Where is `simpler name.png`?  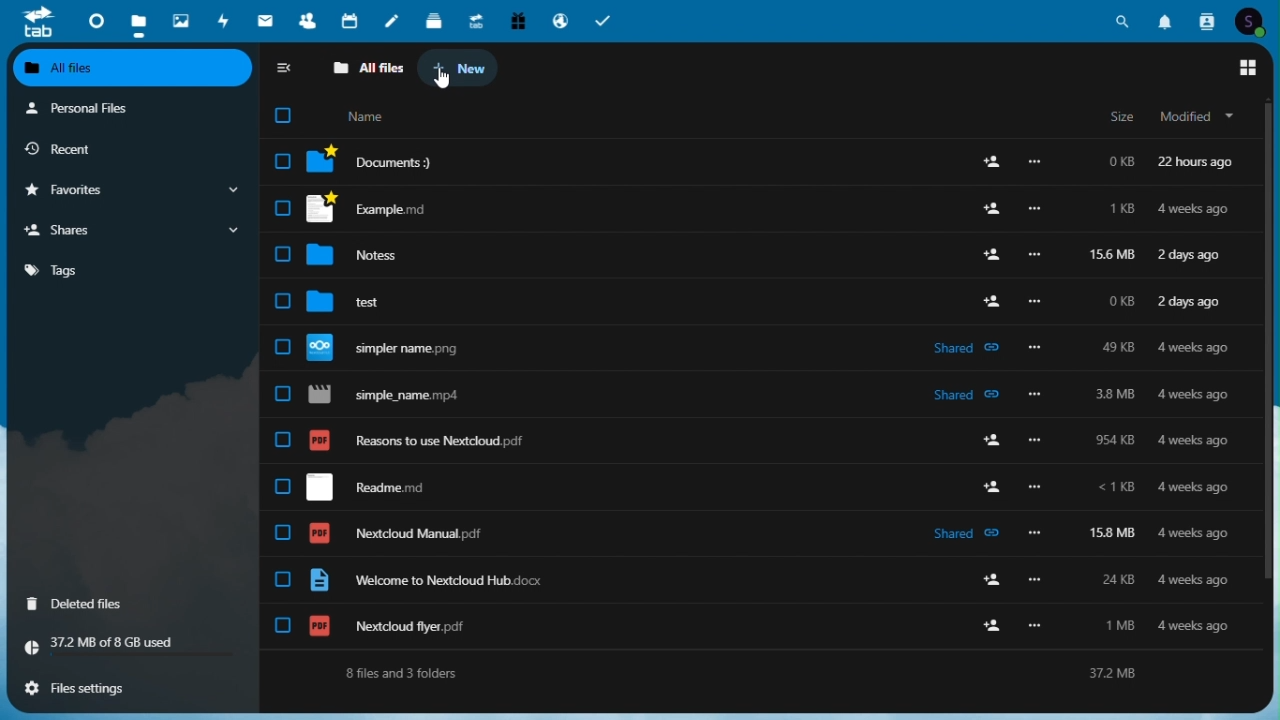 simpler name.png is located at coordinates (395, 348).